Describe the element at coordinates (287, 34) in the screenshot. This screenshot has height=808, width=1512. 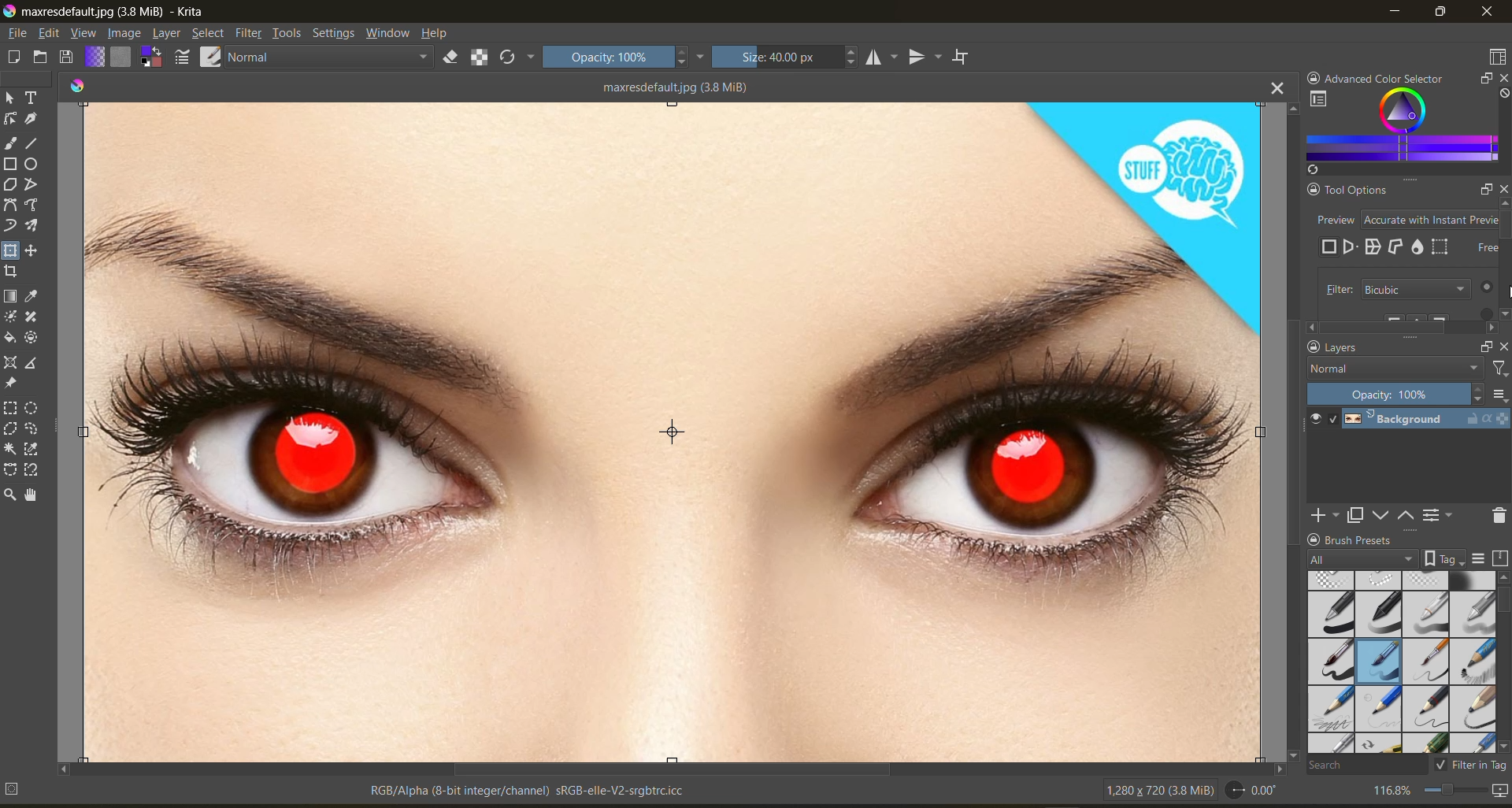
I see `tools` at that location.